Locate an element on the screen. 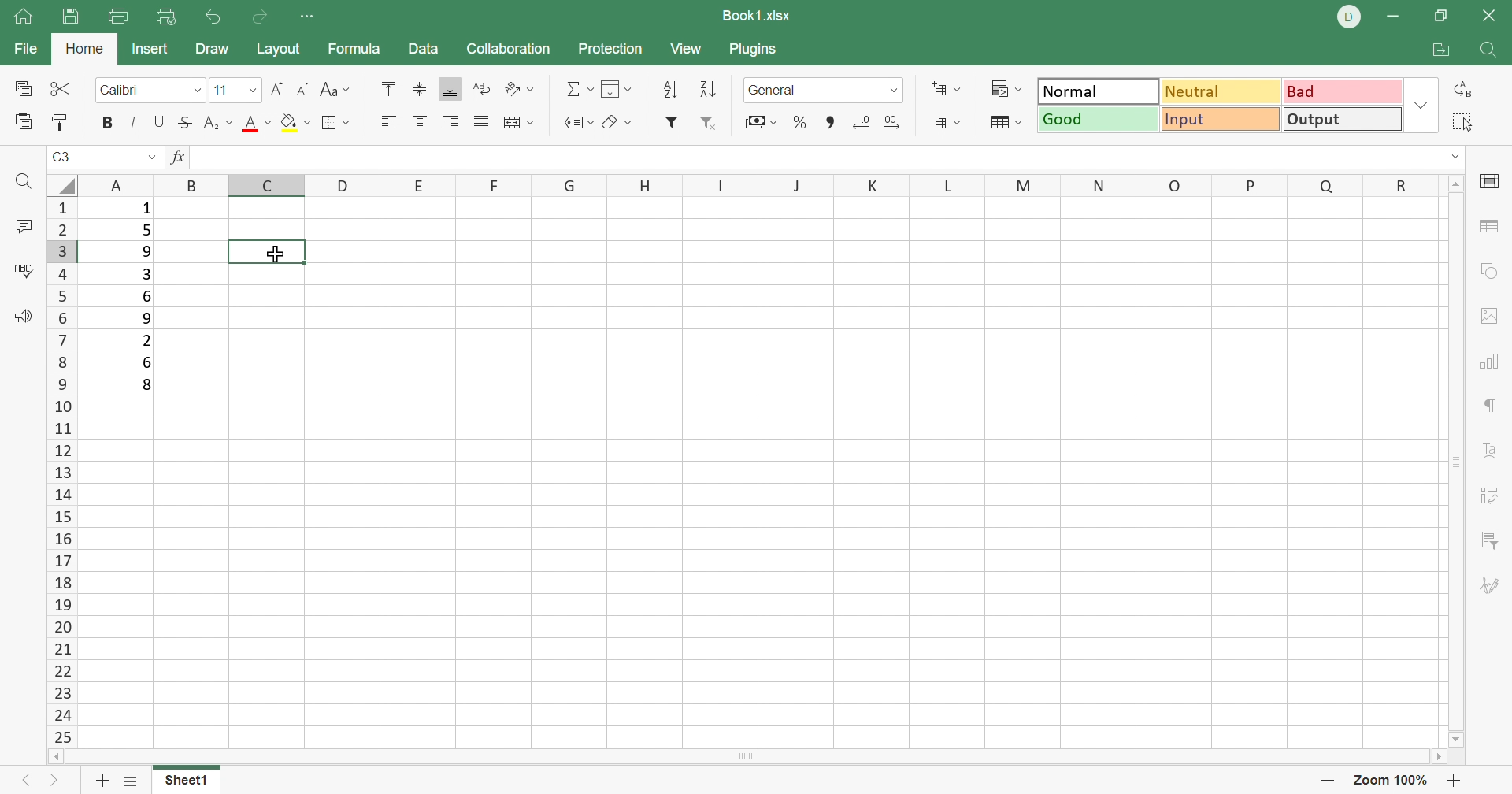 Image resolution: width=1512 pixels, height=794 pixels. 9 is located at coordinates (146, 317).